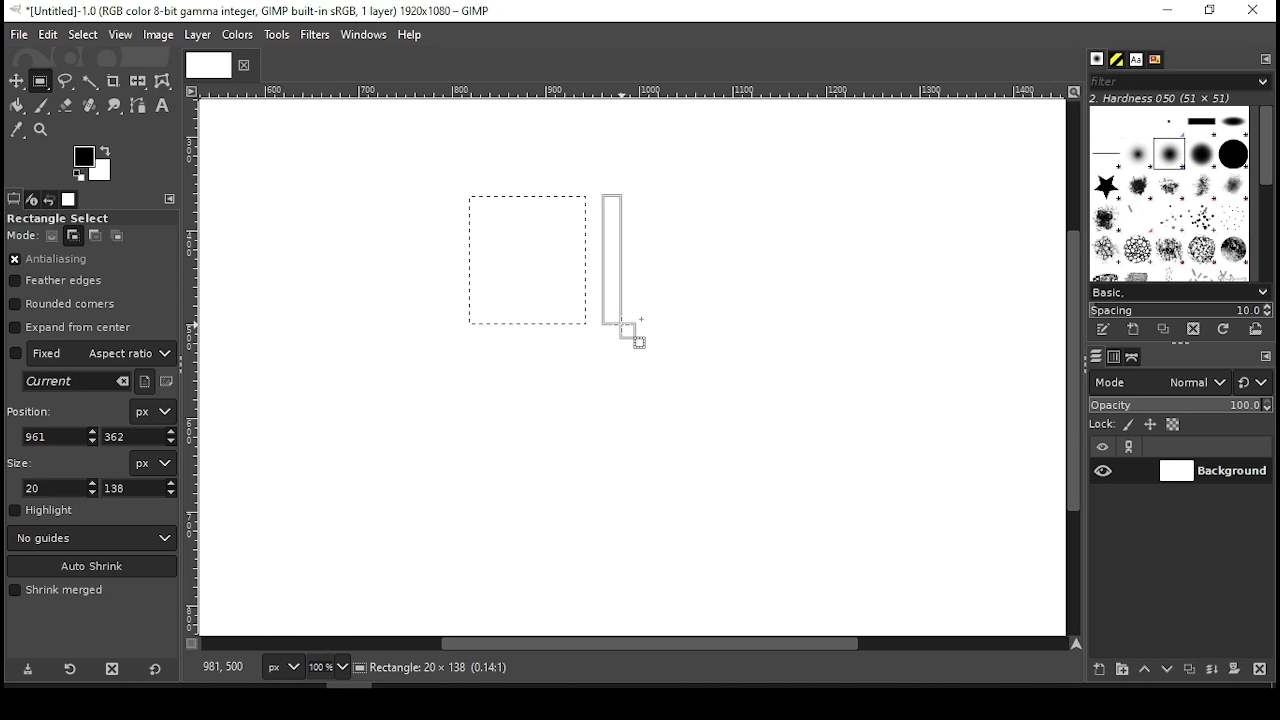  What do you see at coordinates (1166, 11) in the screenshot?
I see `minimize` at bounding box center [1166, 11].